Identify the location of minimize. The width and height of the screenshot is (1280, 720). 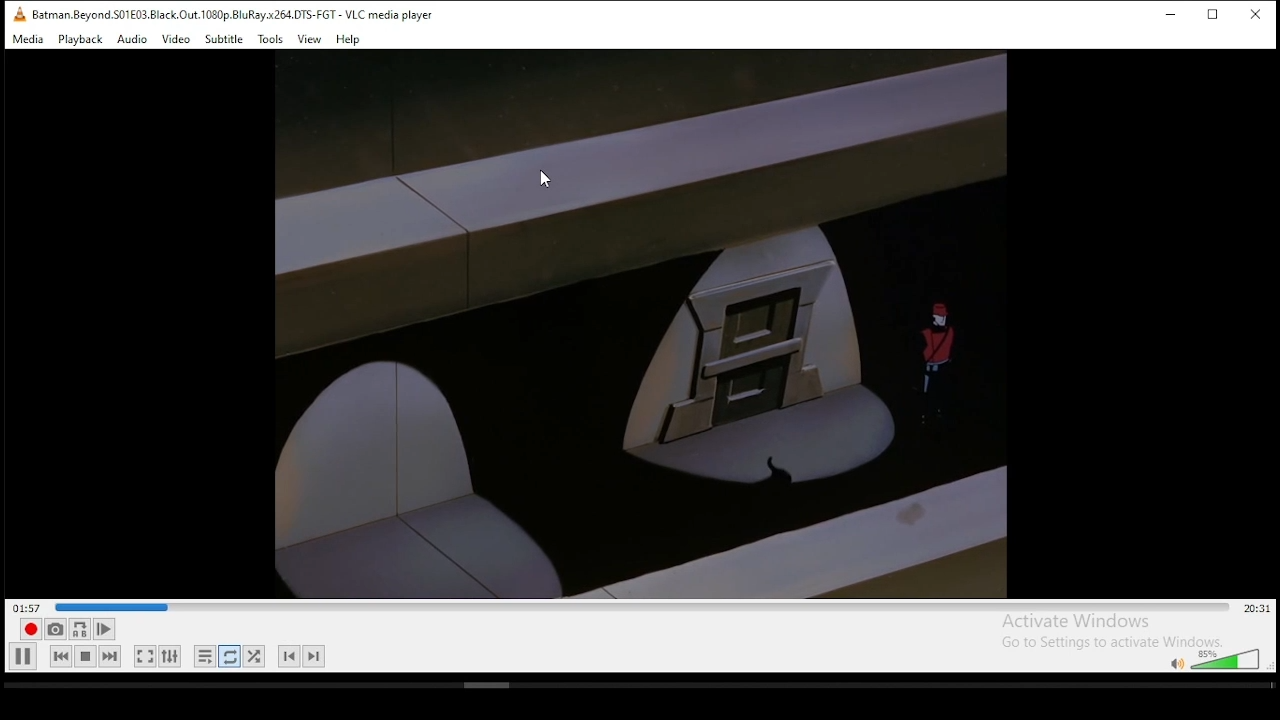
(1168, 16).